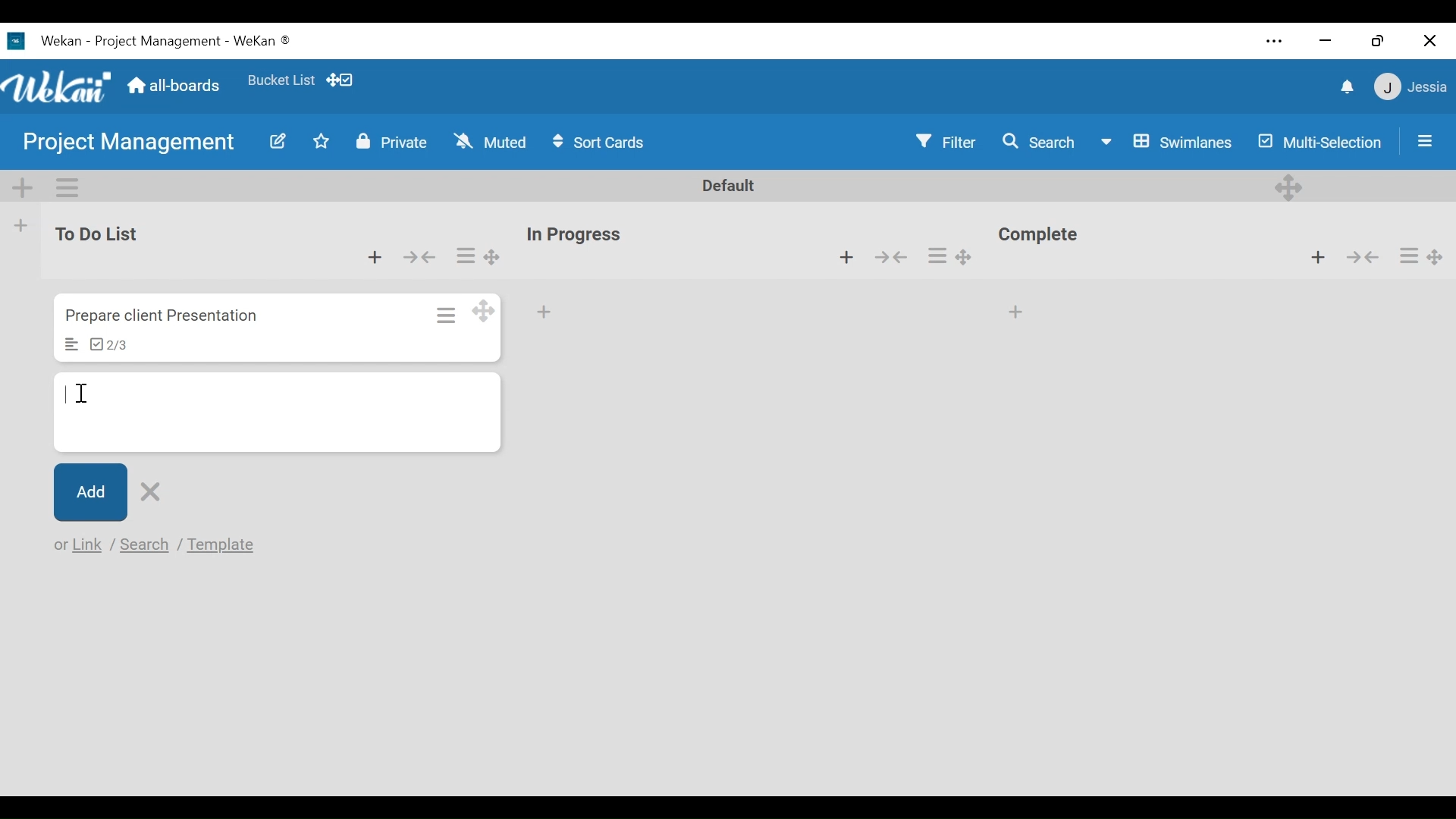  Describe the element at coordinates (485, 311) in the screenshot. I see `Desktop drag handles` at that location.